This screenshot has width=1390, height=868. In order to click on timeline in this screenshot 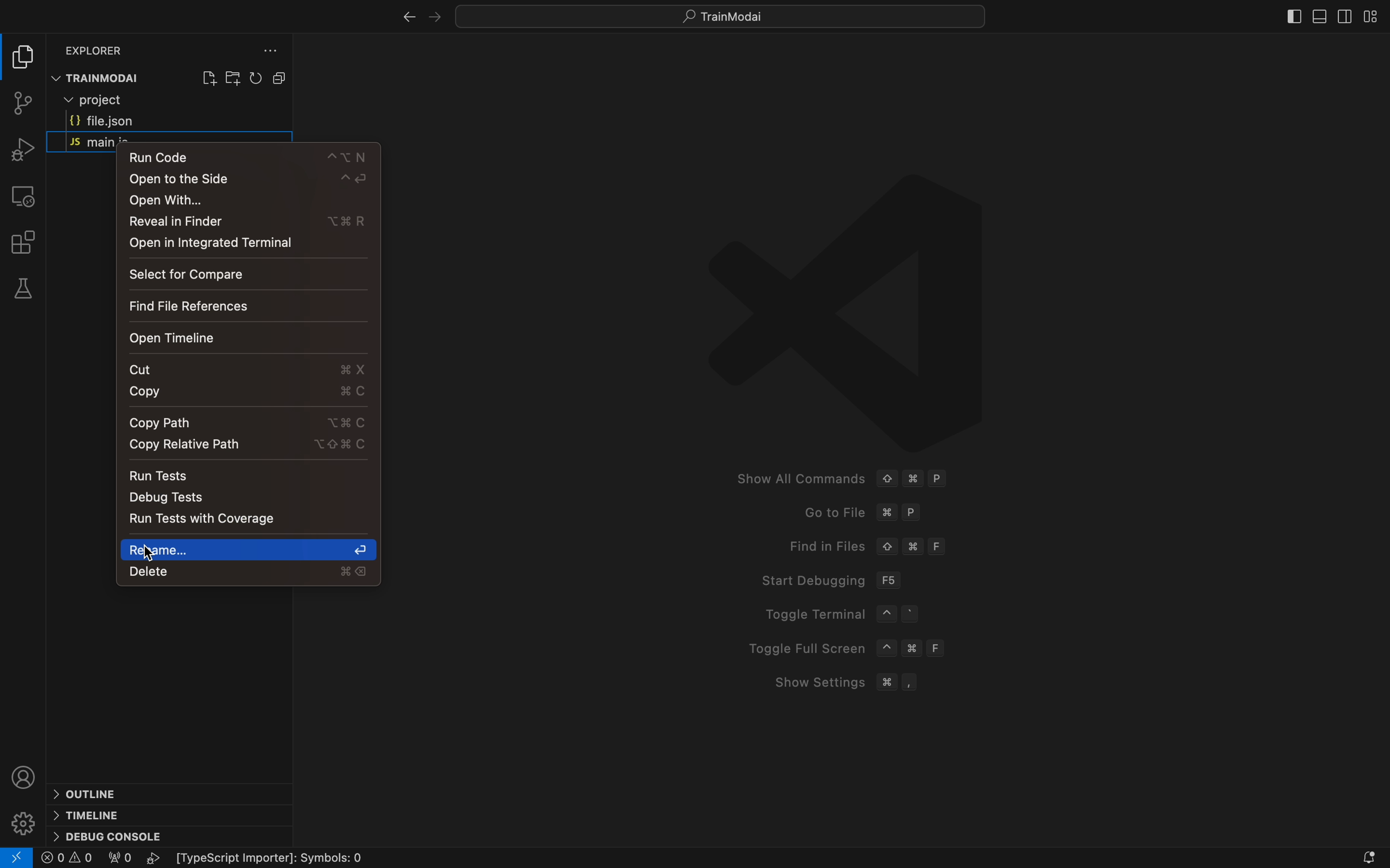, I will do `click(90, 814)`.